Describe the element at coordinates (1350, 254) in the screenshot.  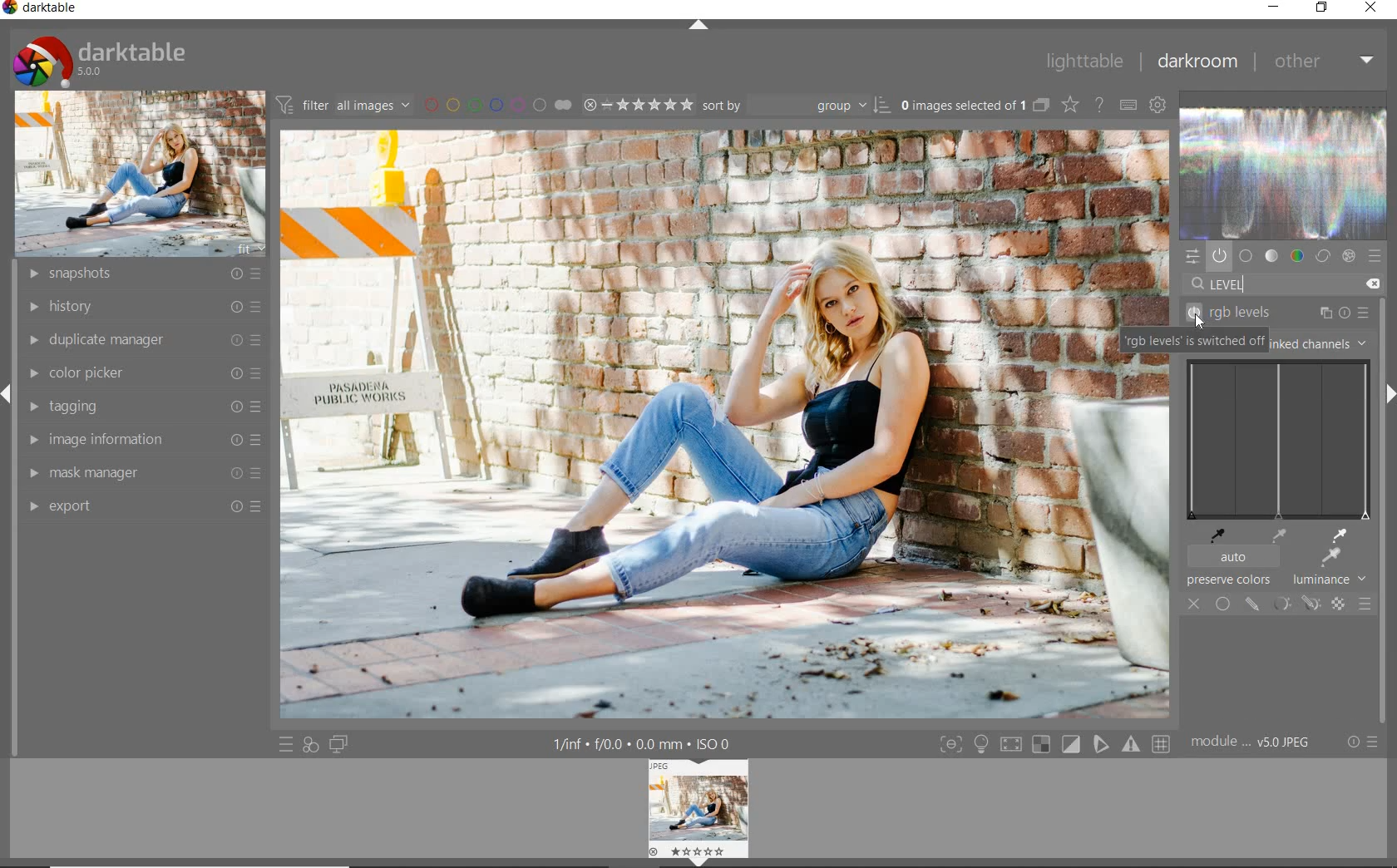
I see `effect` at that location.